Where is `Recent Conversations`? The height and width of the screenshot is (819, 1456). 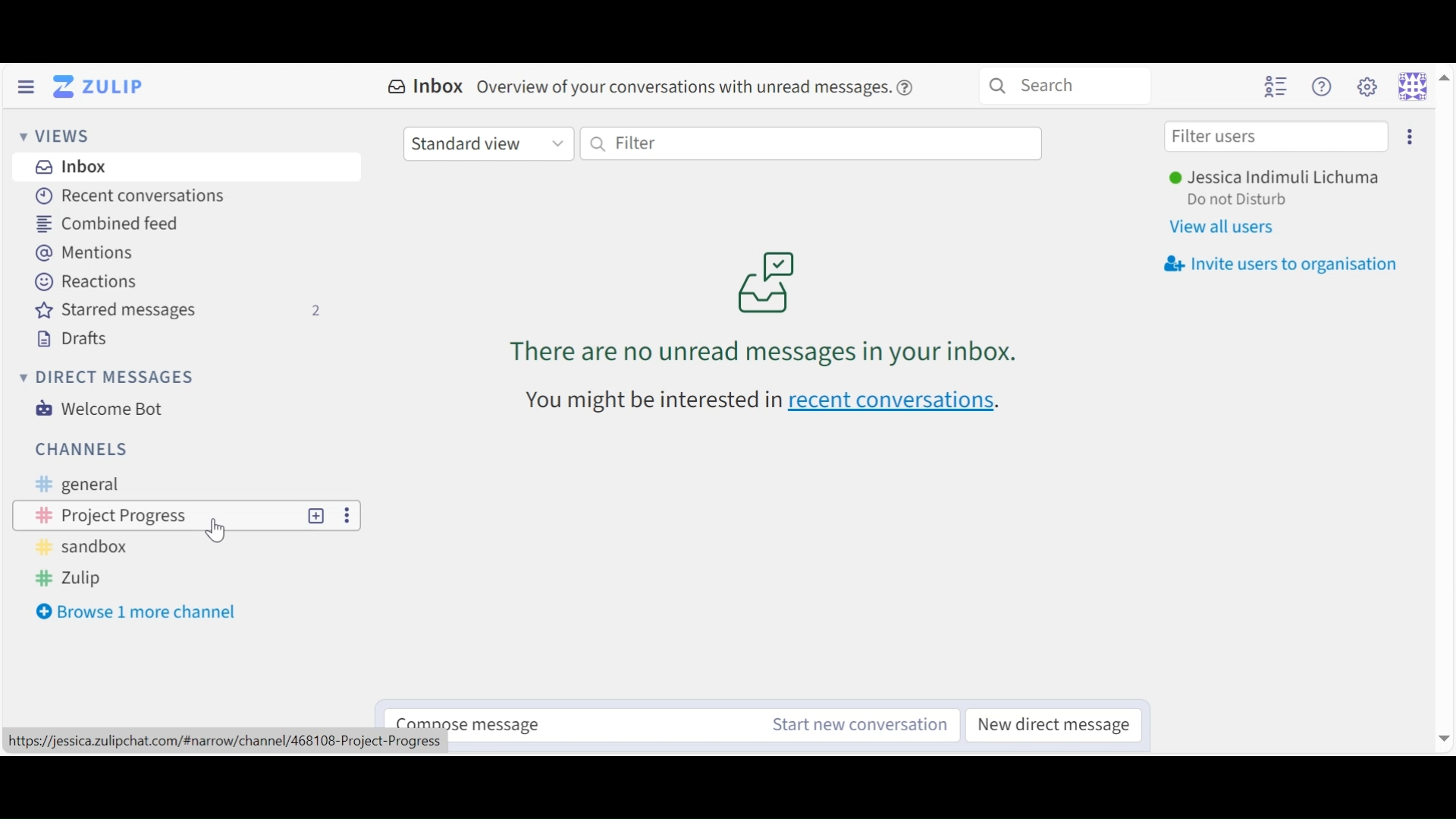 Recent Conversations is located at coordinates (129, 197).